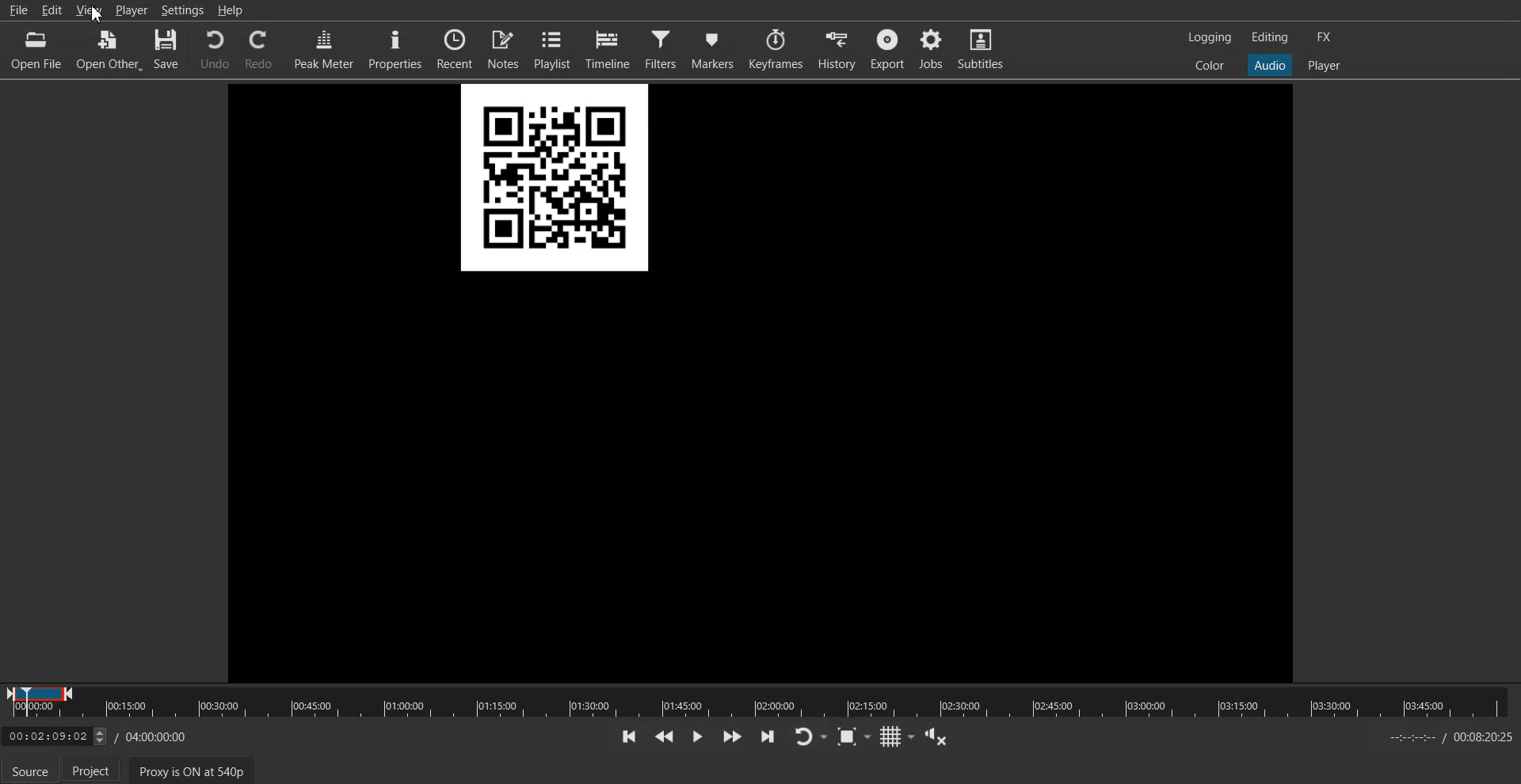 The width and height of the screenshot is (1521, 784). Describe the element at coordinates (17, 10) in the screenshot. I see `File` at that location.